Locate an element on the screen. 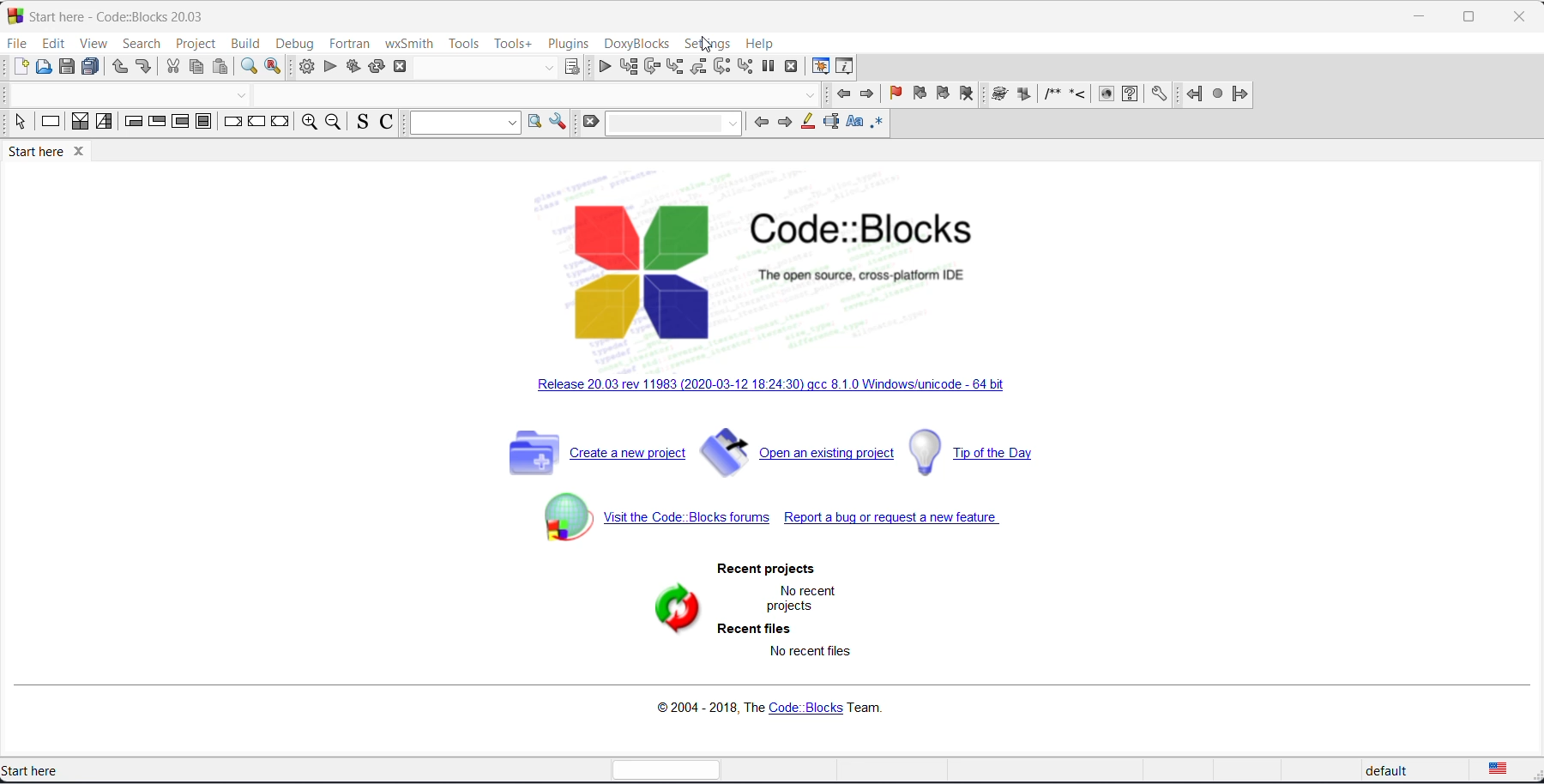 This screenshot has width=1544, height=784. step into is located at coordinates (674, 67).